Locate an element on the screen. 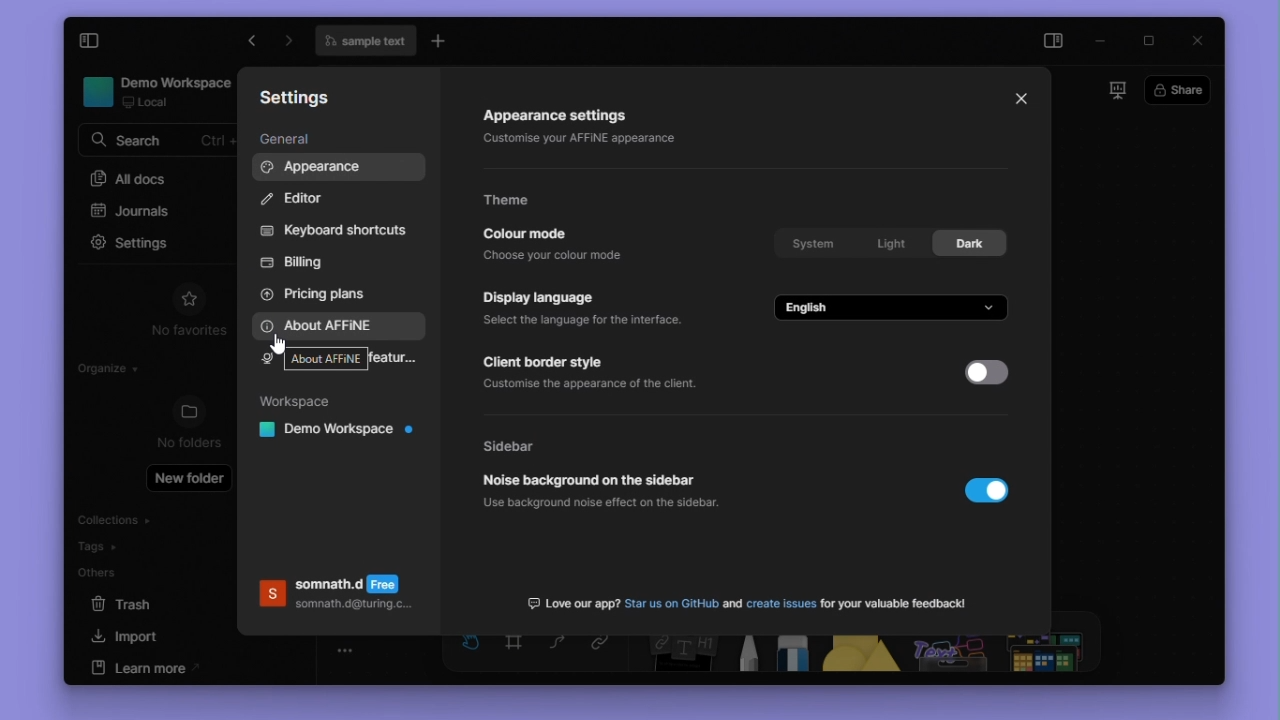 Image resolution: width=1280 pixels, height=720 pixels. others is located at coordinates (951, 653).